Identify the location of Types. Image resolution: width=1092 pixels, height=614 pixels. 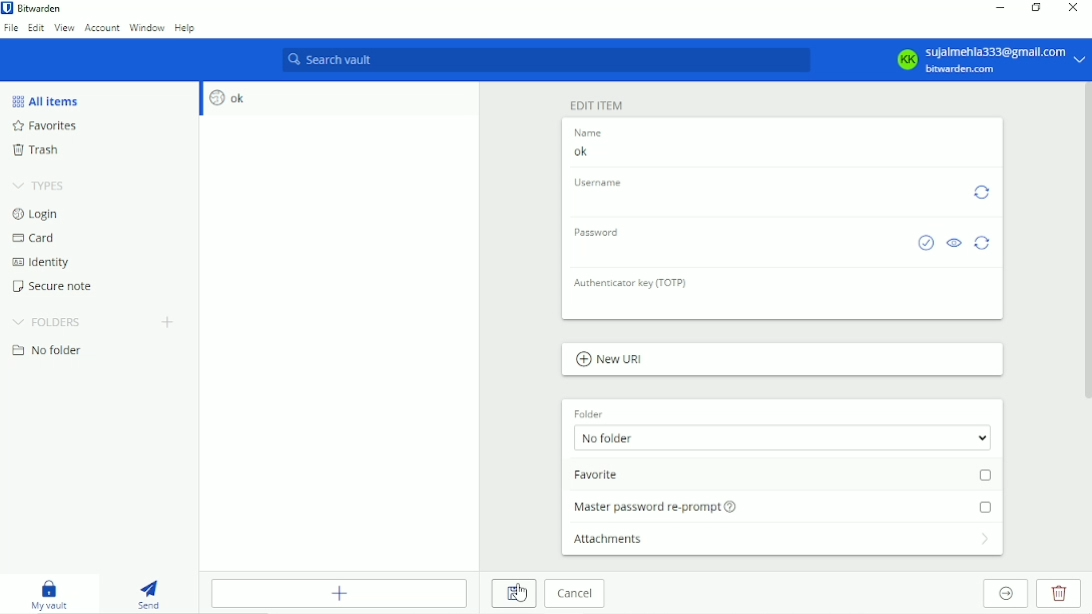
(37, 186).